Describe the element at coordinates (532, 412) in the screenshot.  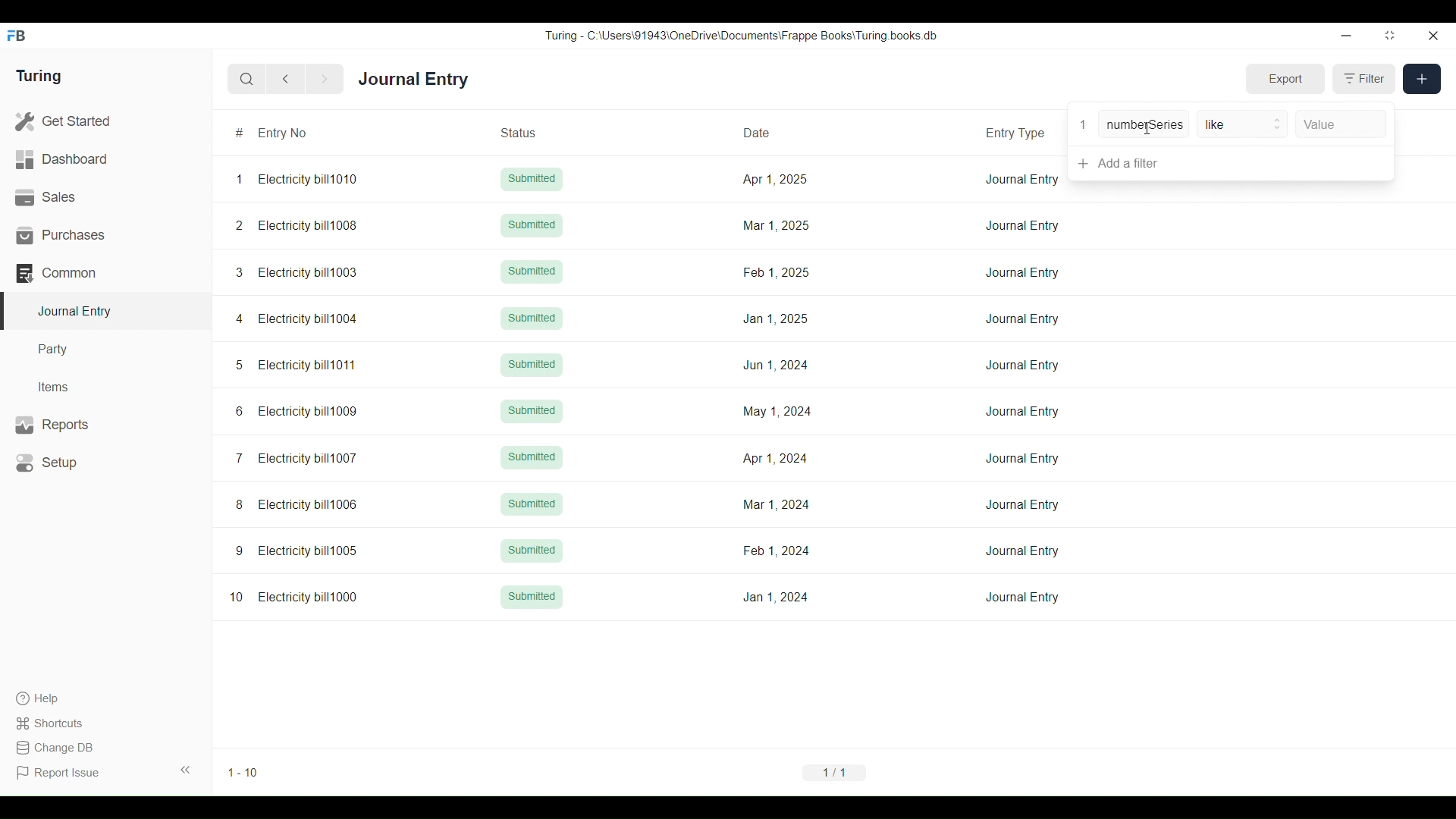
I see `Submitted` at that location.